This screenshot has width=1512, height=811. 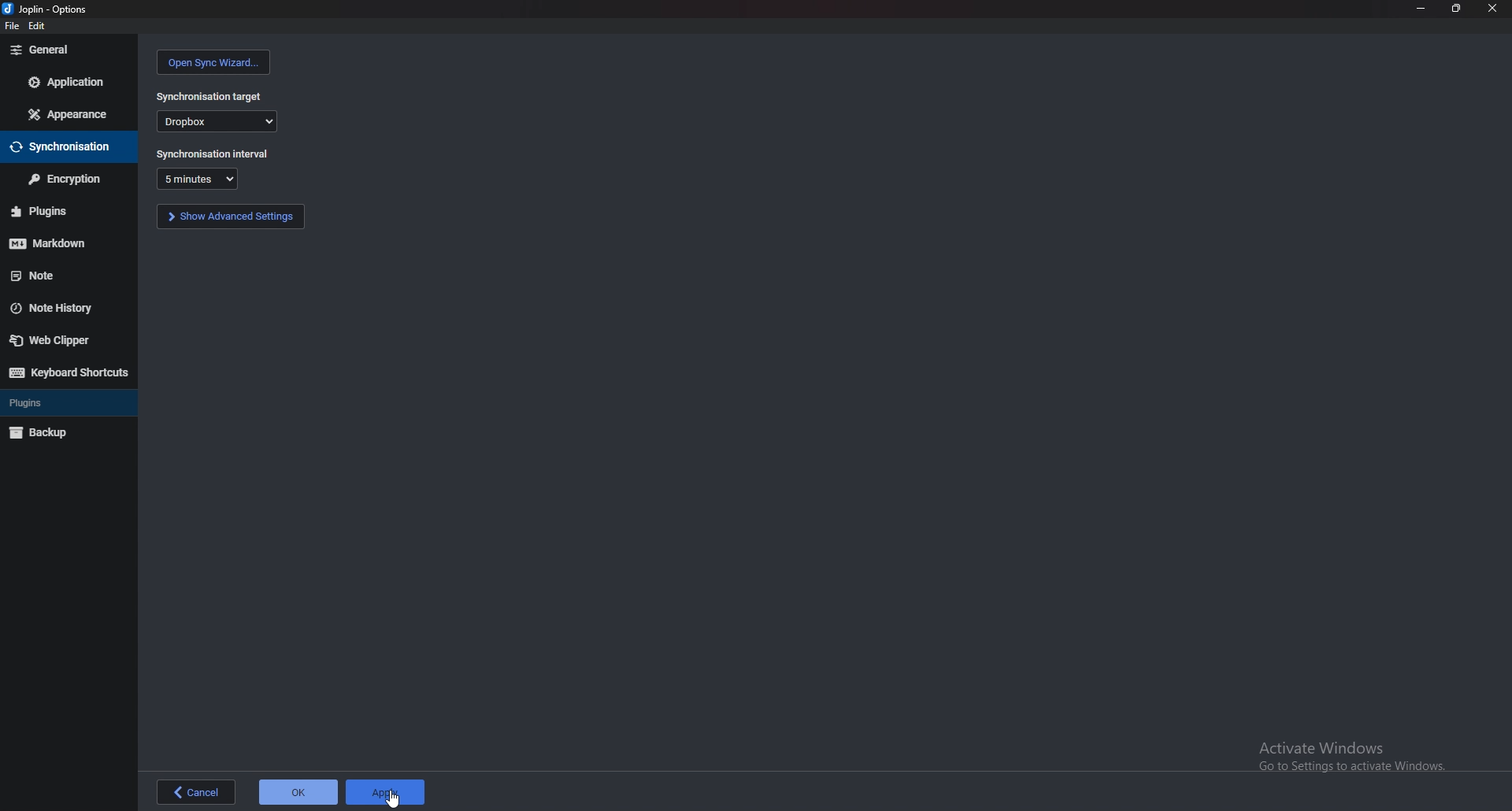 I want to click on show advanced, so click(x=232, y=217).